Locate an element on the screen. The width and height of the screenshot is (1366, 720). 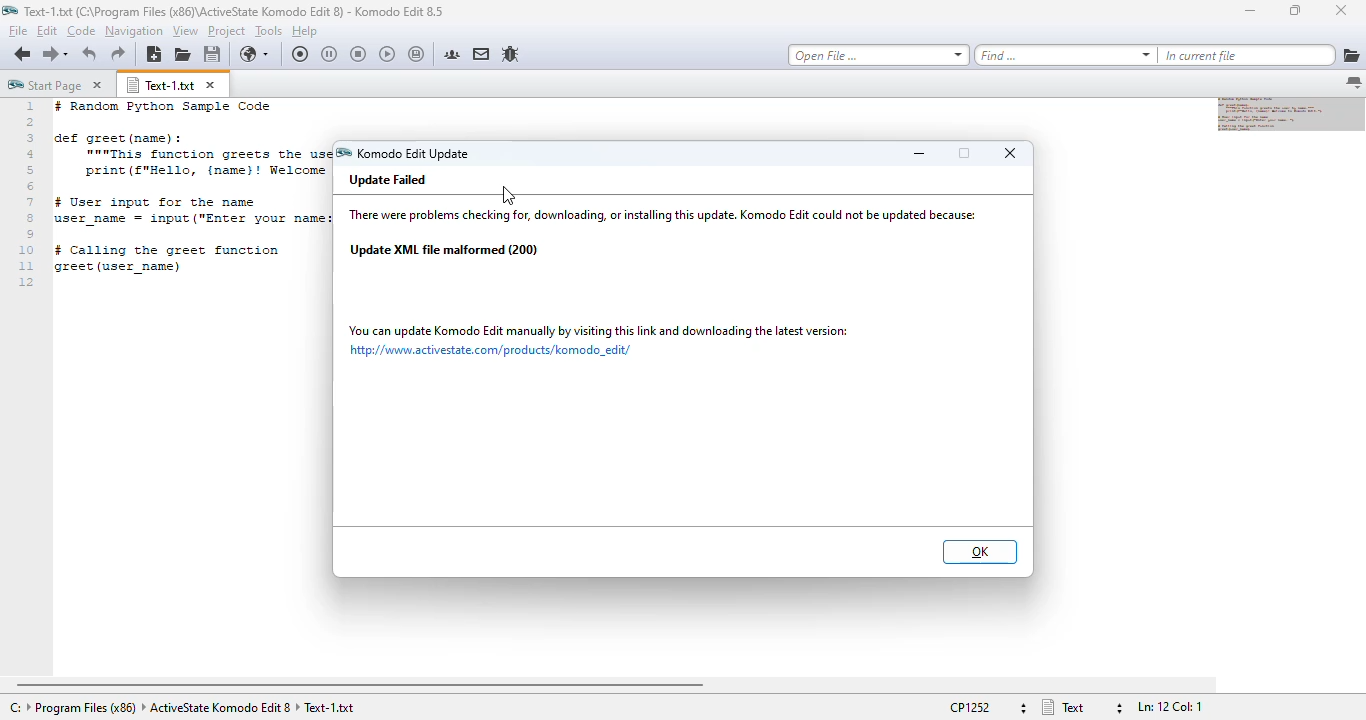
record macro is located at coordinates (300, 54).